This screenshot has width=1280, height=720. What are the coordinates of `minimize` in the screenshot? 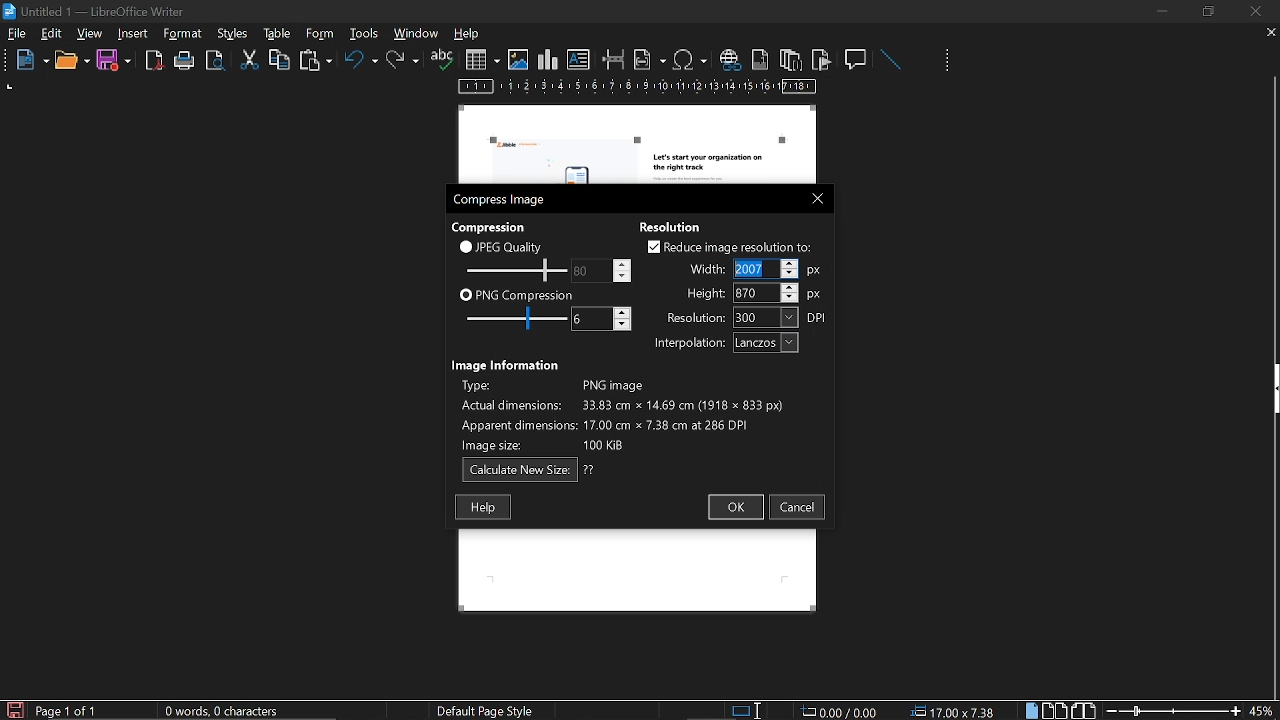 It's located at (1162, 11).